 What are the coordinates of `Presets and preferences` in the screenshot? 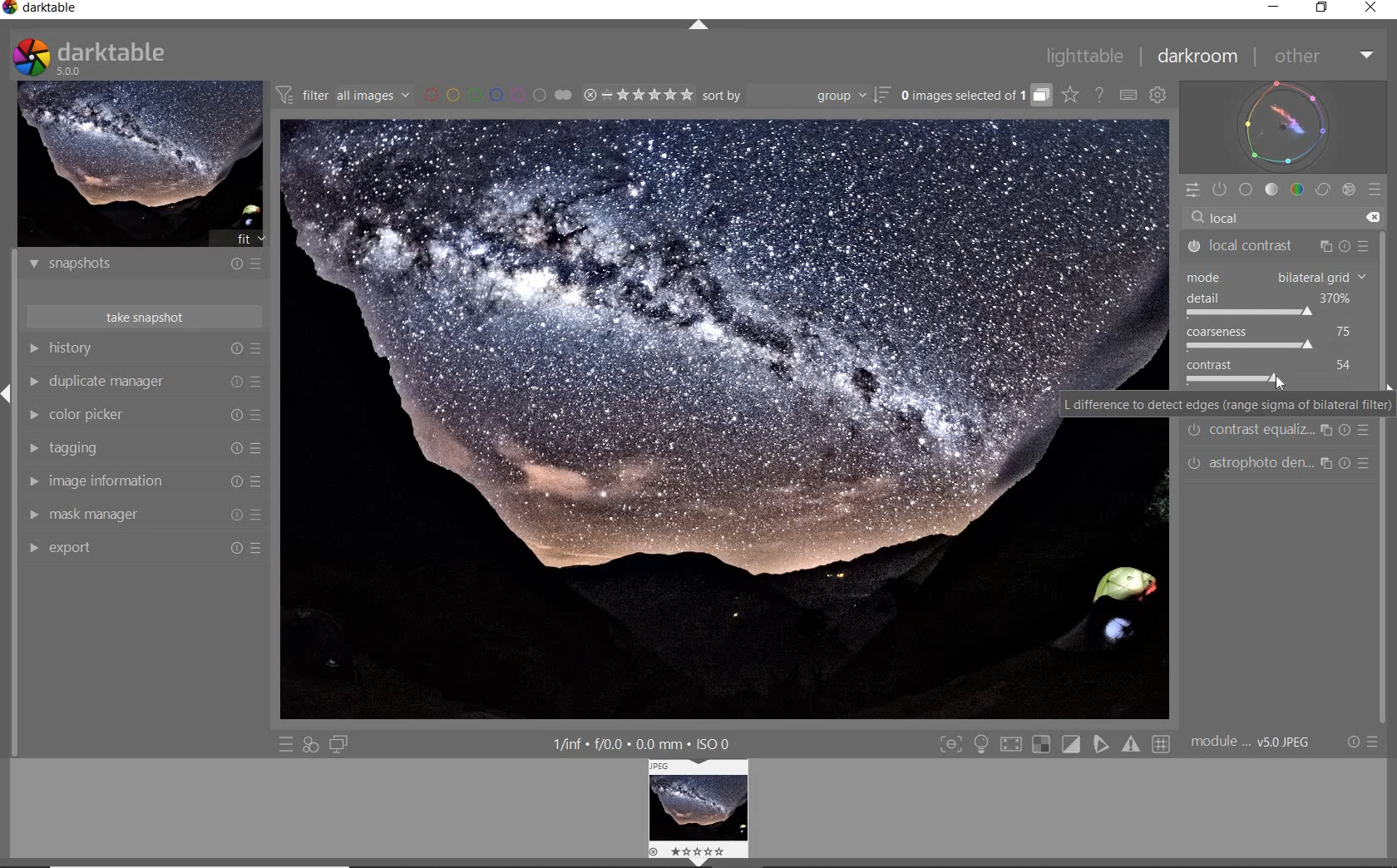 It's located at (259, 514).